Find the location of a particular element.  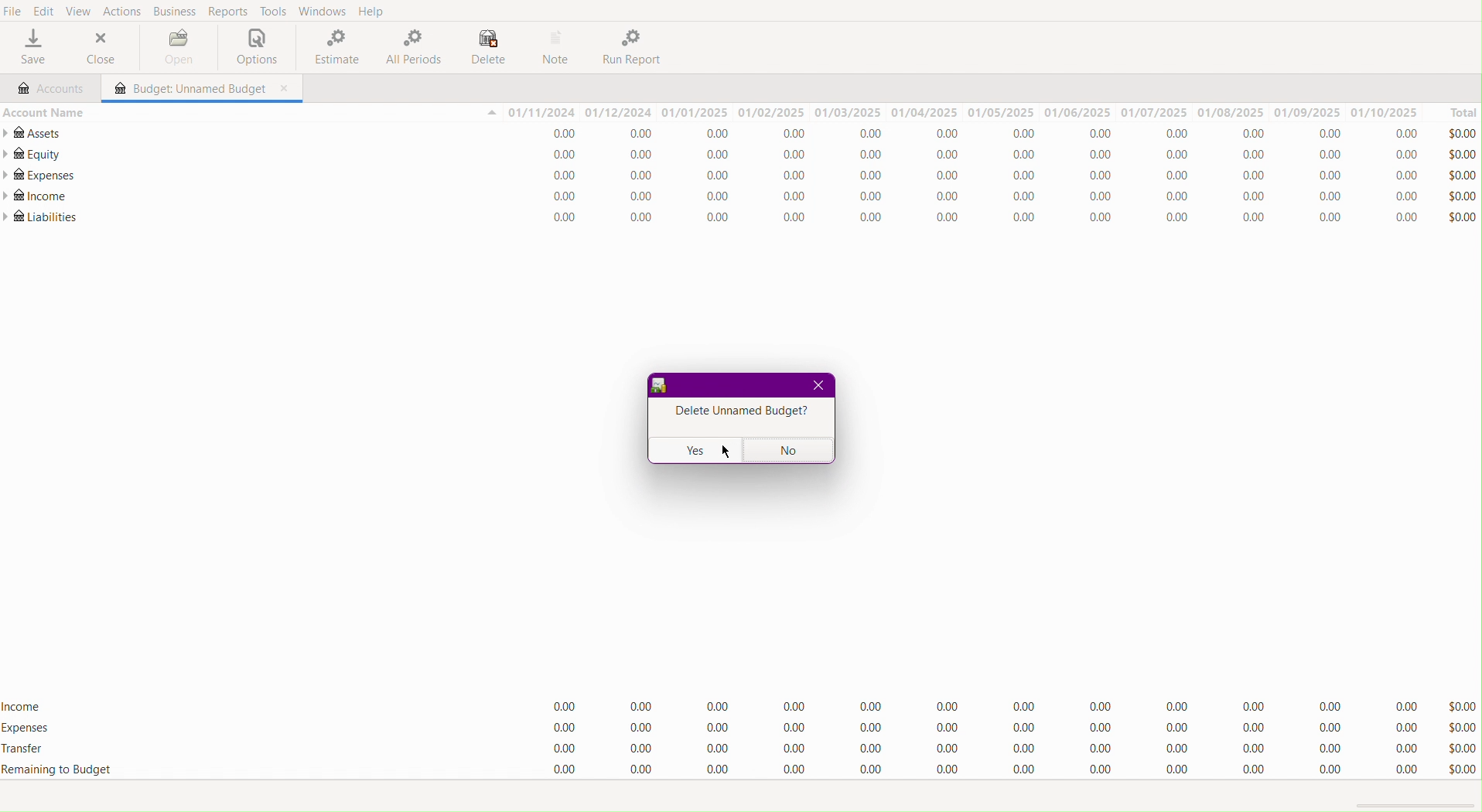

Note is located at coordinates (559, 47).